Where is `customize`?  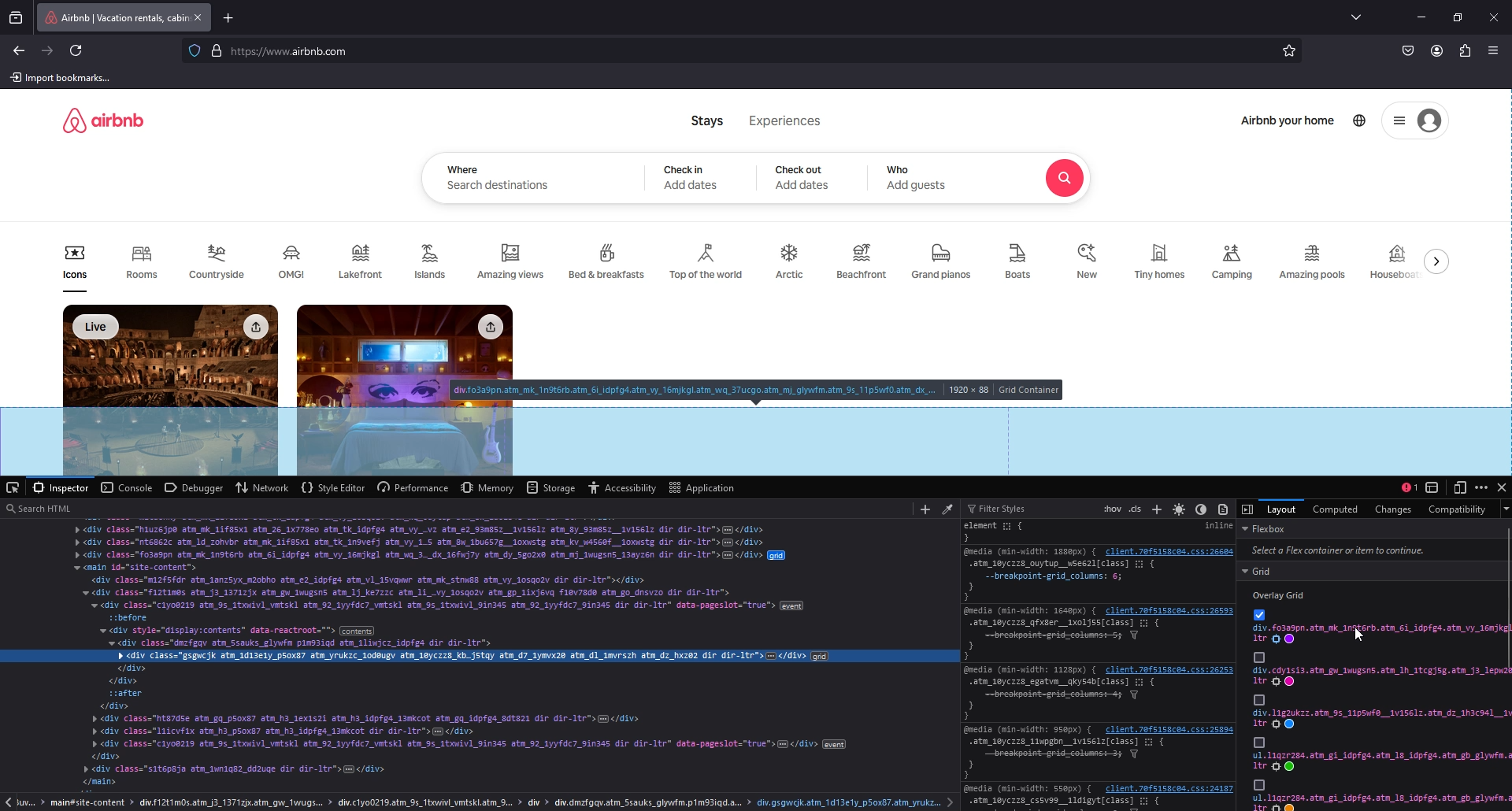
customize is located at coordinates (1481, 488).